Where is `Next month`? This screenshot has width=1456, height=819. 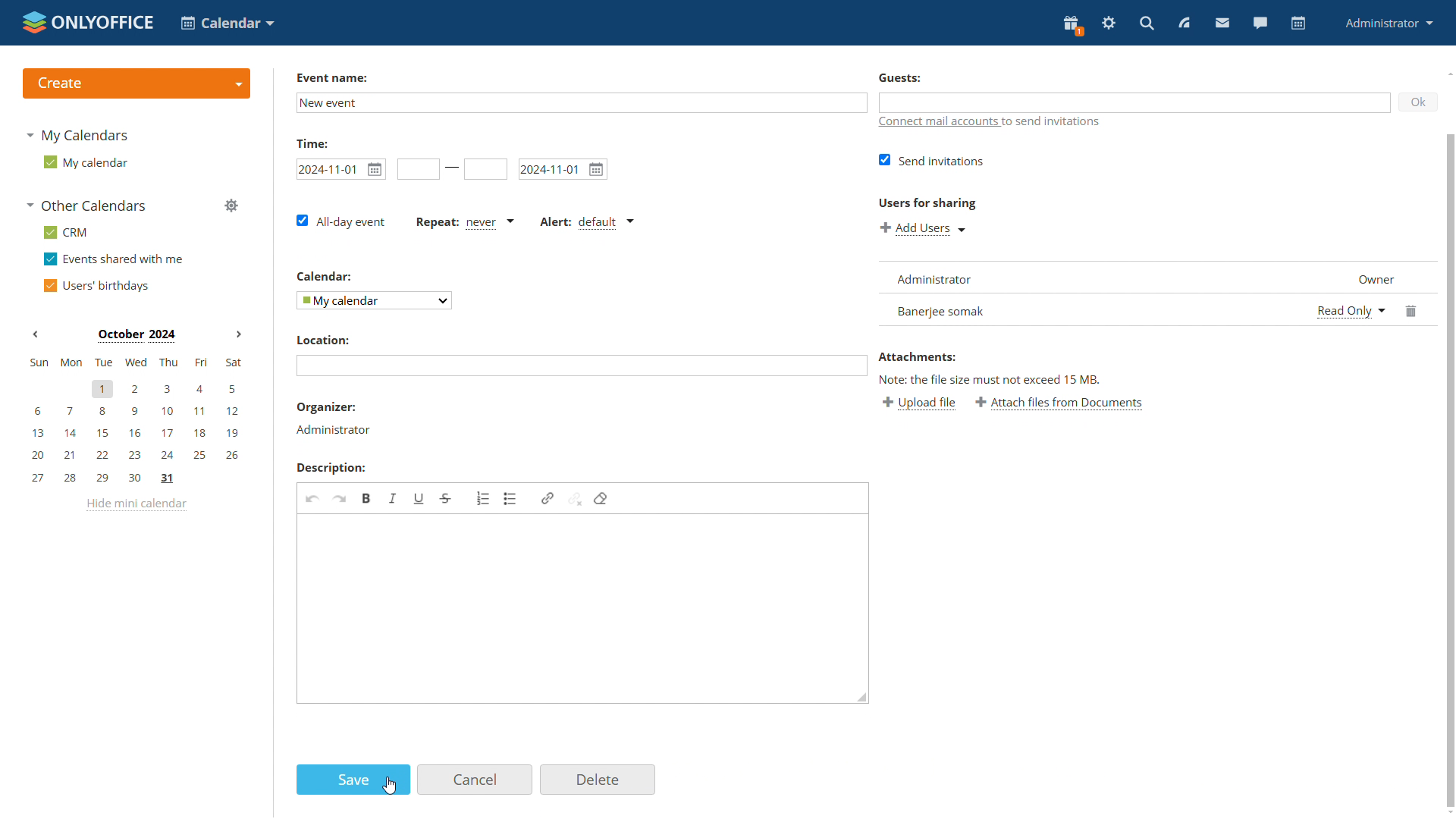
Next month is located at coordinates (236, 335).